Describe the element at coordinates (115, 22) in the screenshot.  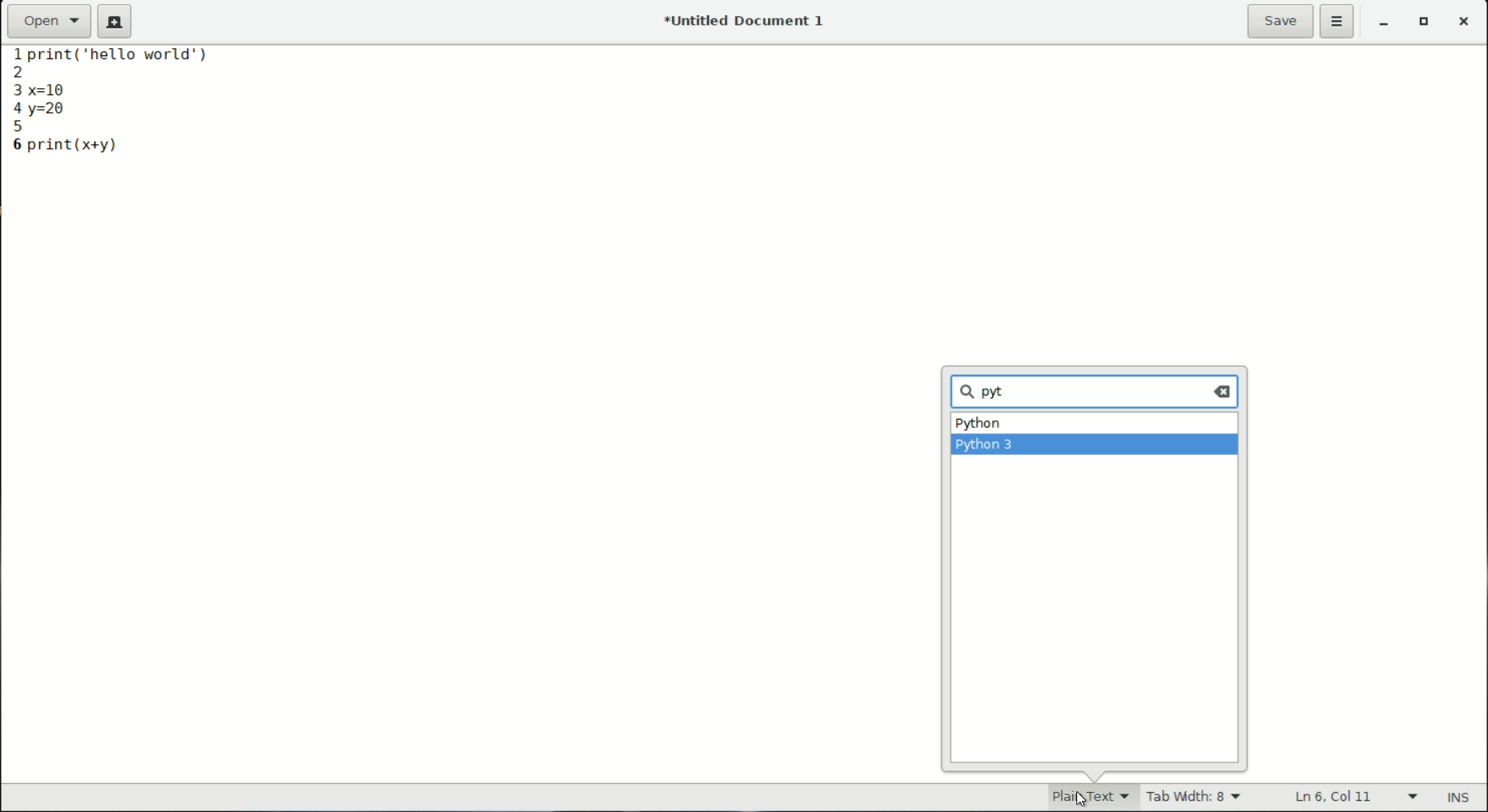
I see `new tab` at that location.